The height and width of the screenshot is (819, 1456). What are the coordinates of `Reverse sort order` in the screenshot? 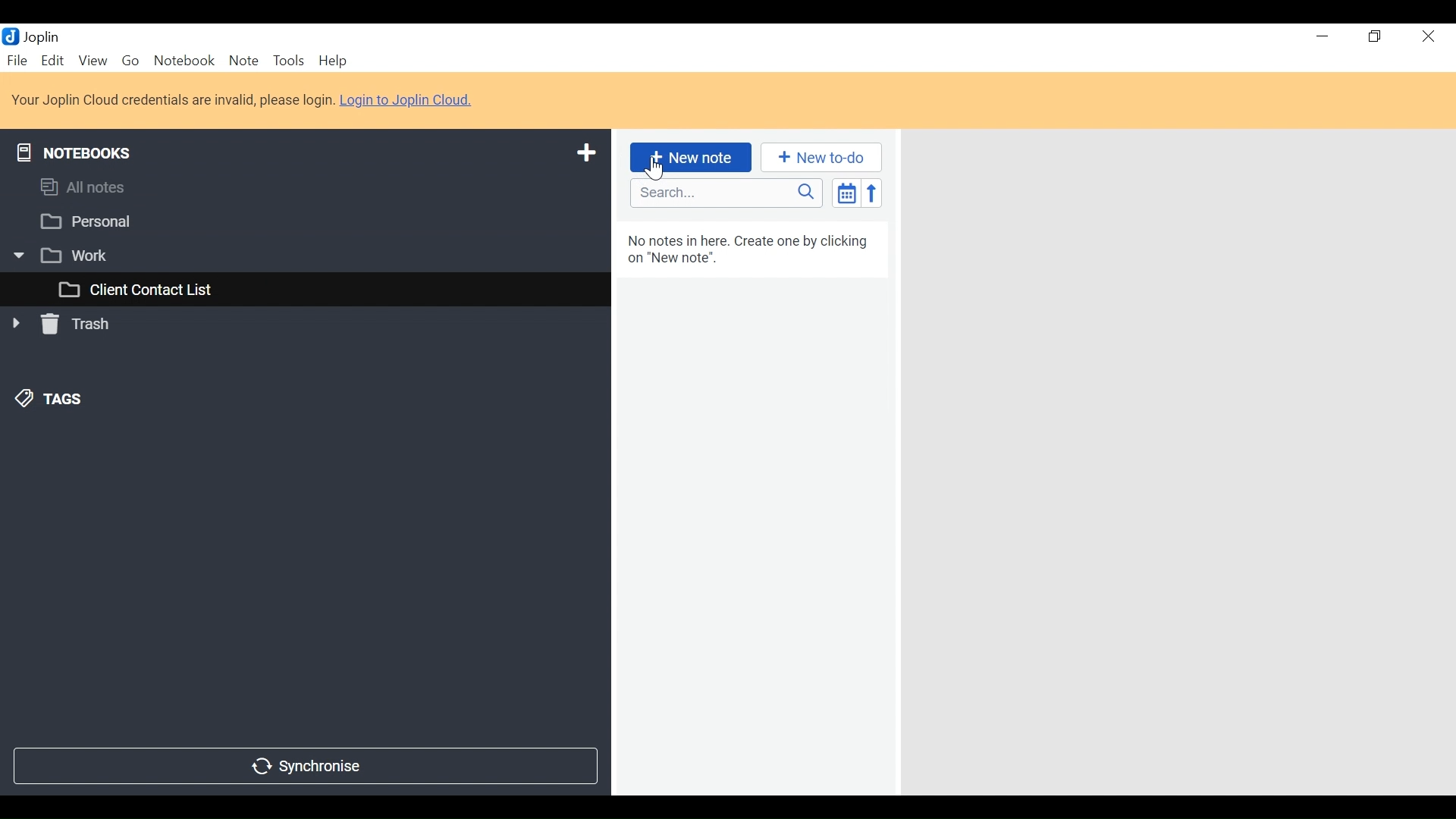 It's located at (871, 193).